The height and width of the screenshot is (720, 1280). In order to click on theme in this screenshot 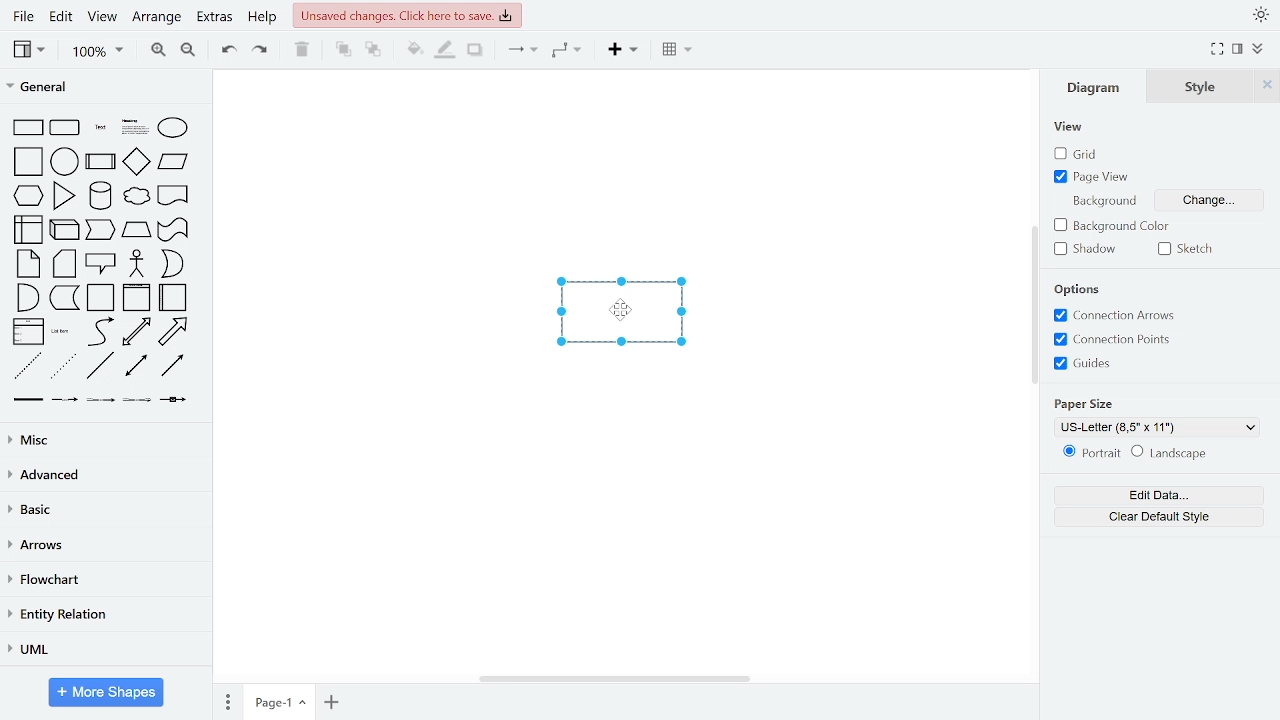, I will do `click(1261, 14)`.